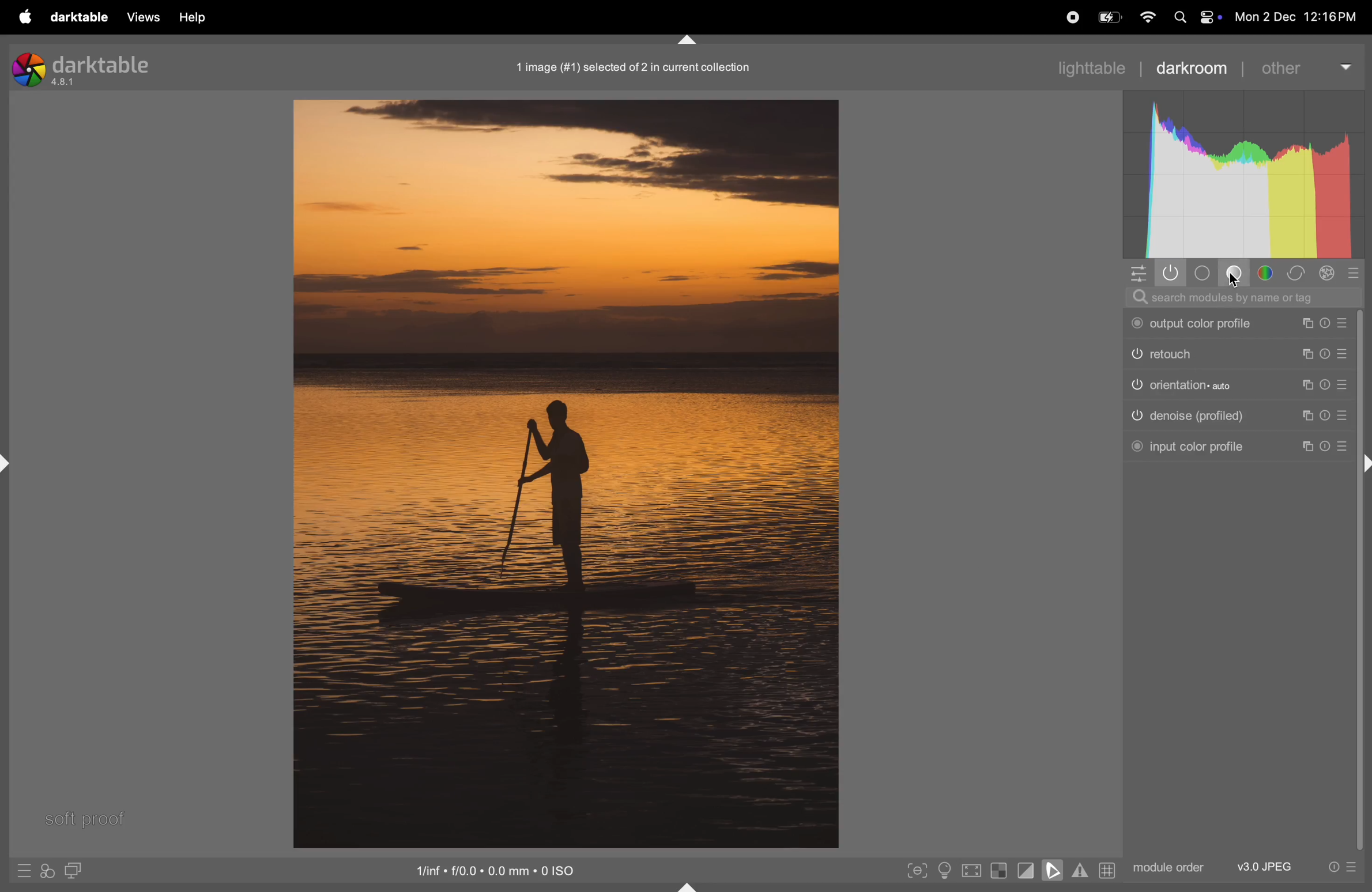  Describe the element at coordinates (71, 872) in the screenshot. I see `double window` at that location.